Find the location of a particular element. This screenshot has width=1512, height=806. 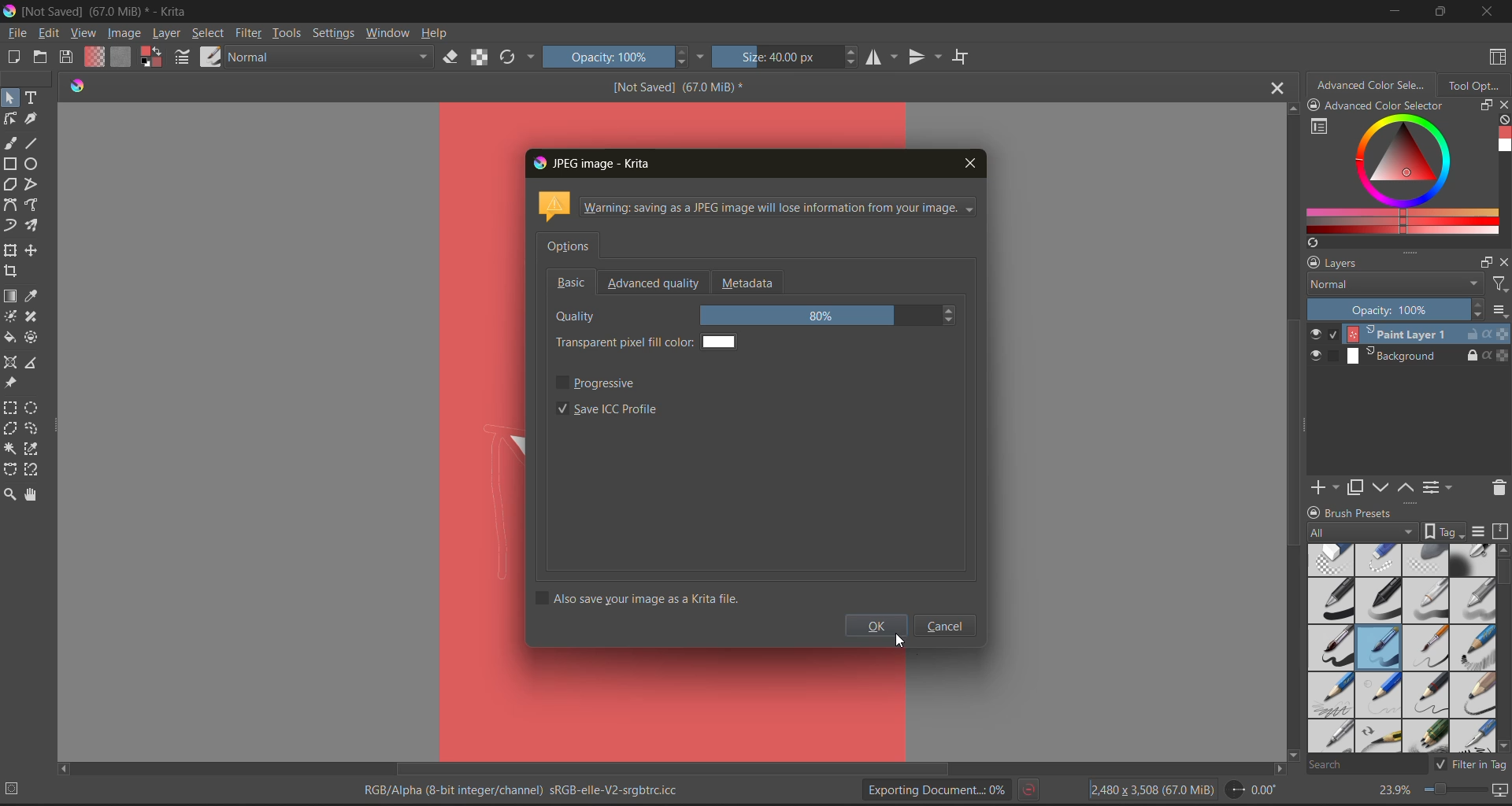

tools is located at coordinates (10, 119).